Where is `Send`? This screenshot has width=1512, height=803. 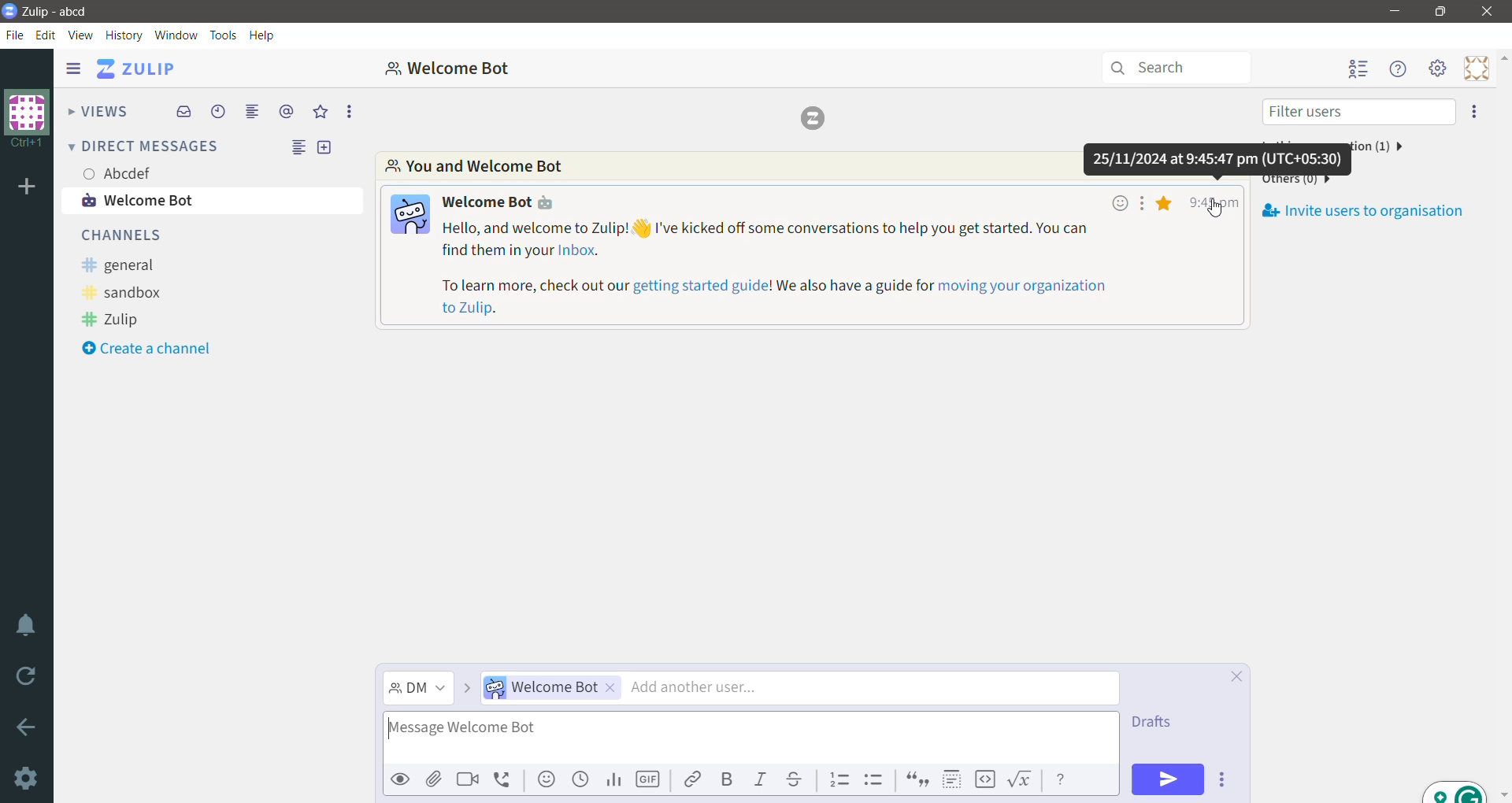 Send is located at coordinates (1168, 779).